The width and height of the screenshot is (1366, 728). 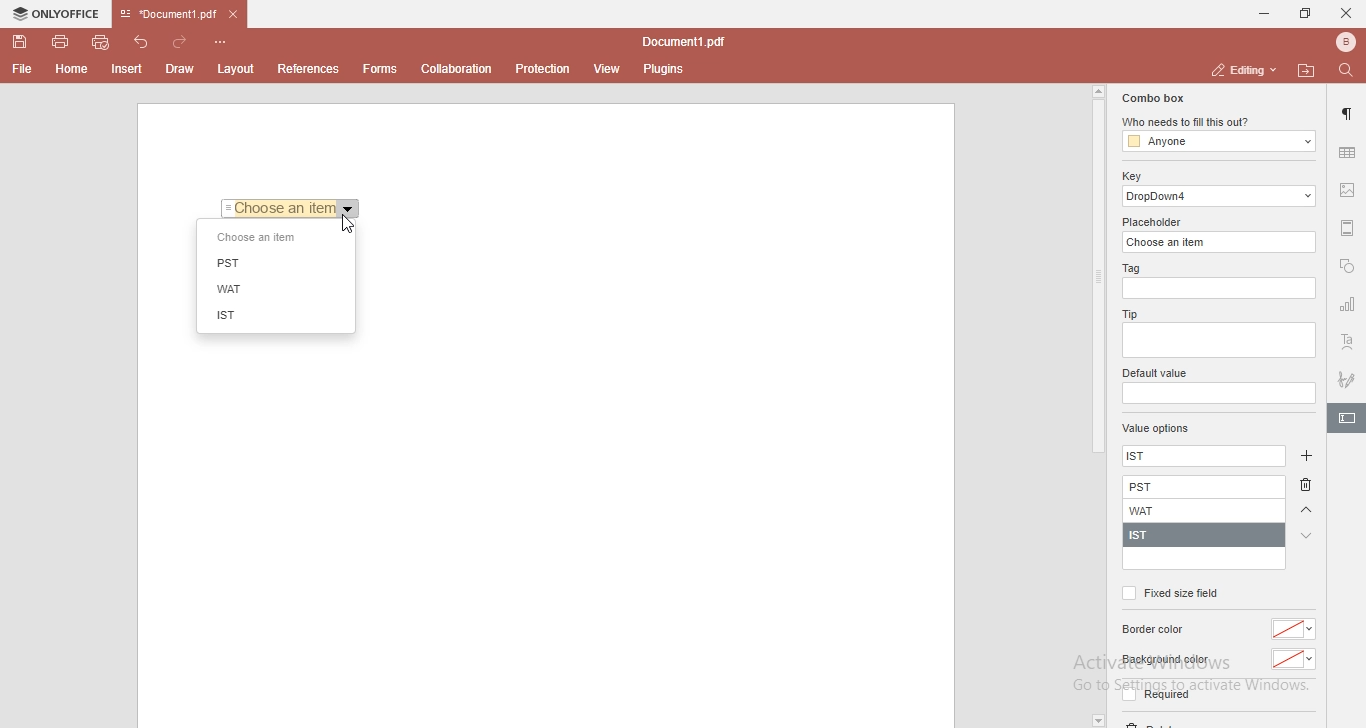 I want to click on arrow up, so click(x=1307, y=511).